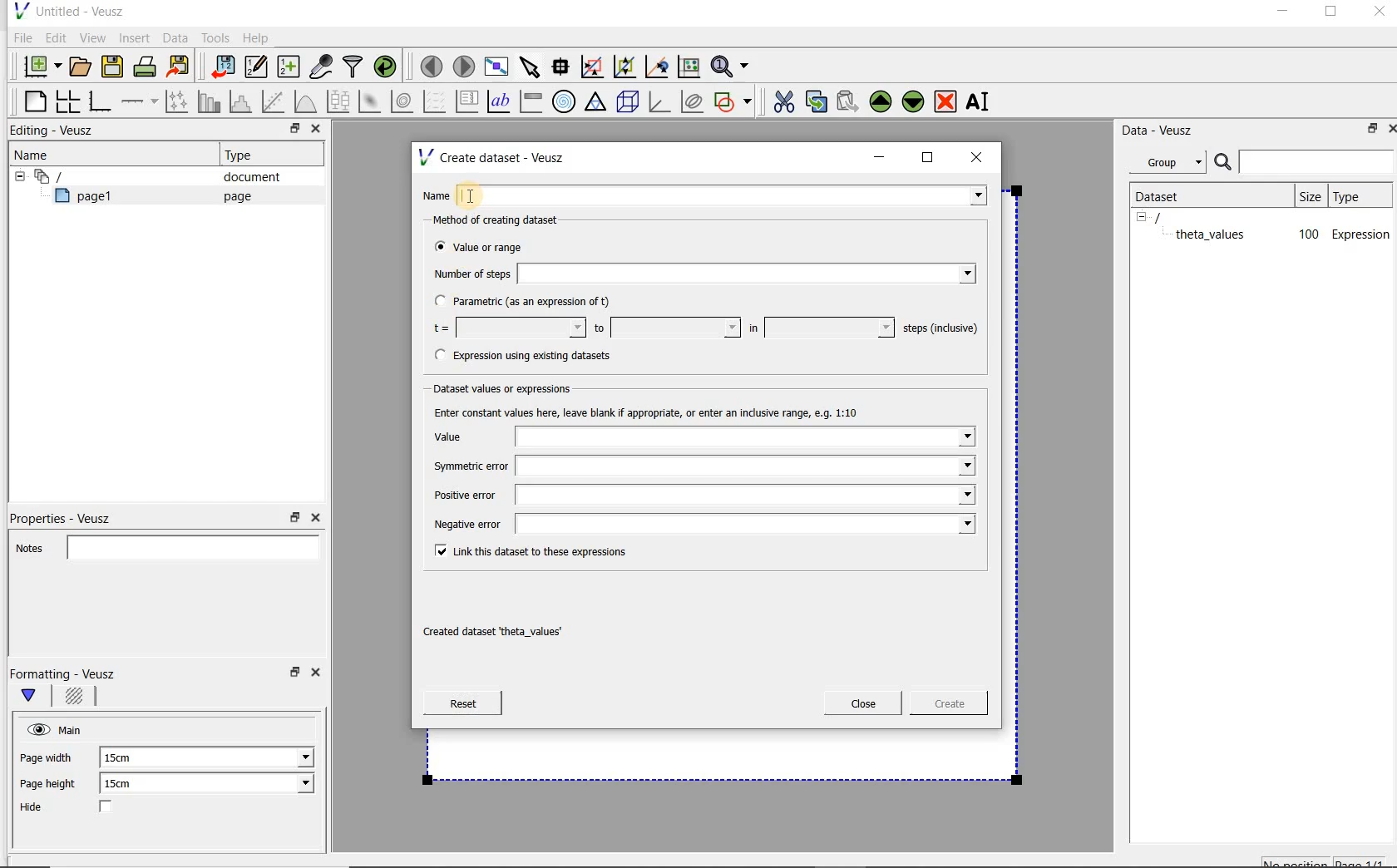 Image resolution: width=1397 pixels, height=868 pixels. Describe the element at coordinates (530, 302) in the screenshot. I see `Parametric (as an expression of t)` at that location.